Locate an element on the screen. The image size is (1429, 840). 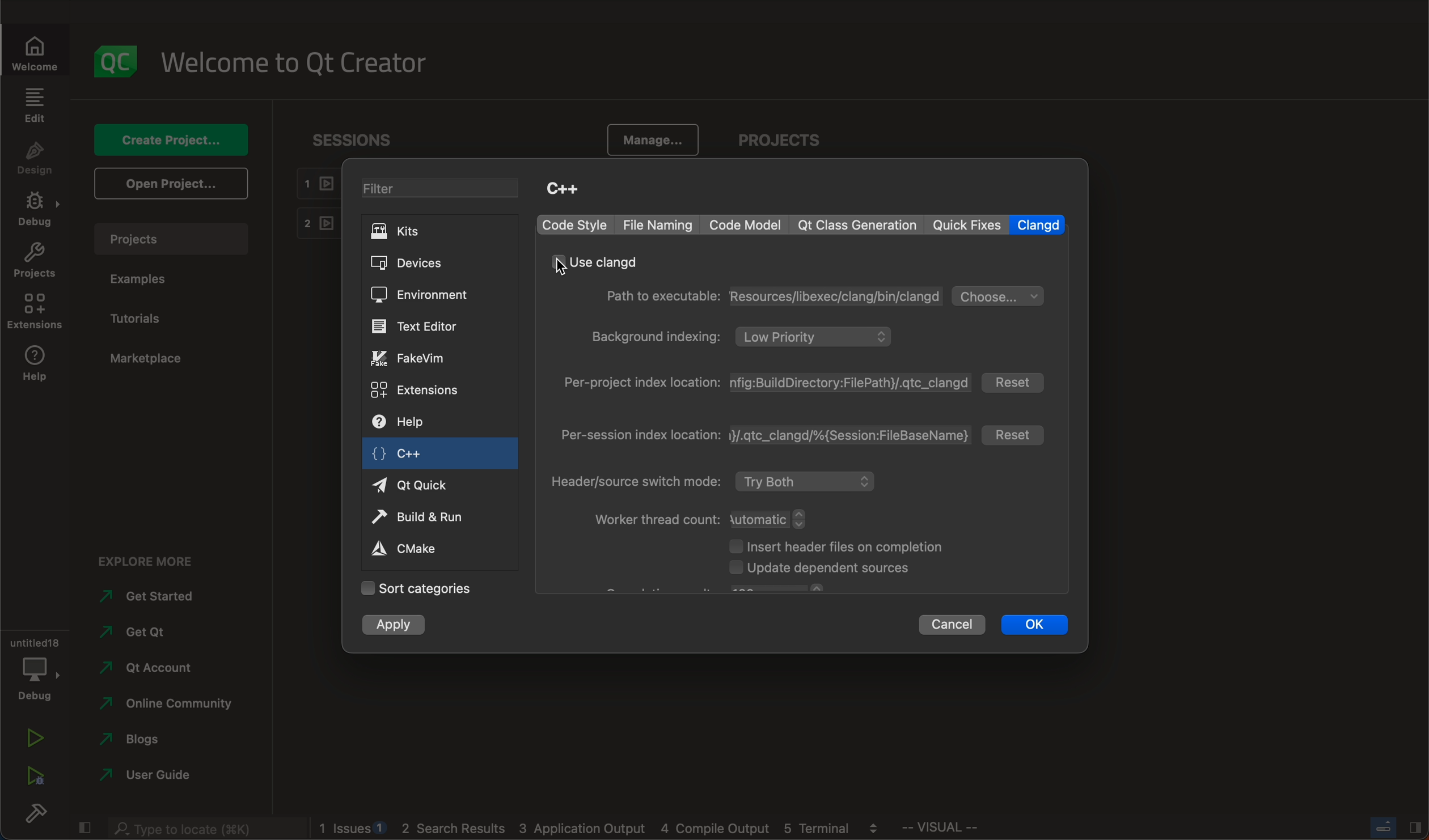
apply is located at coordinates (396, 627).